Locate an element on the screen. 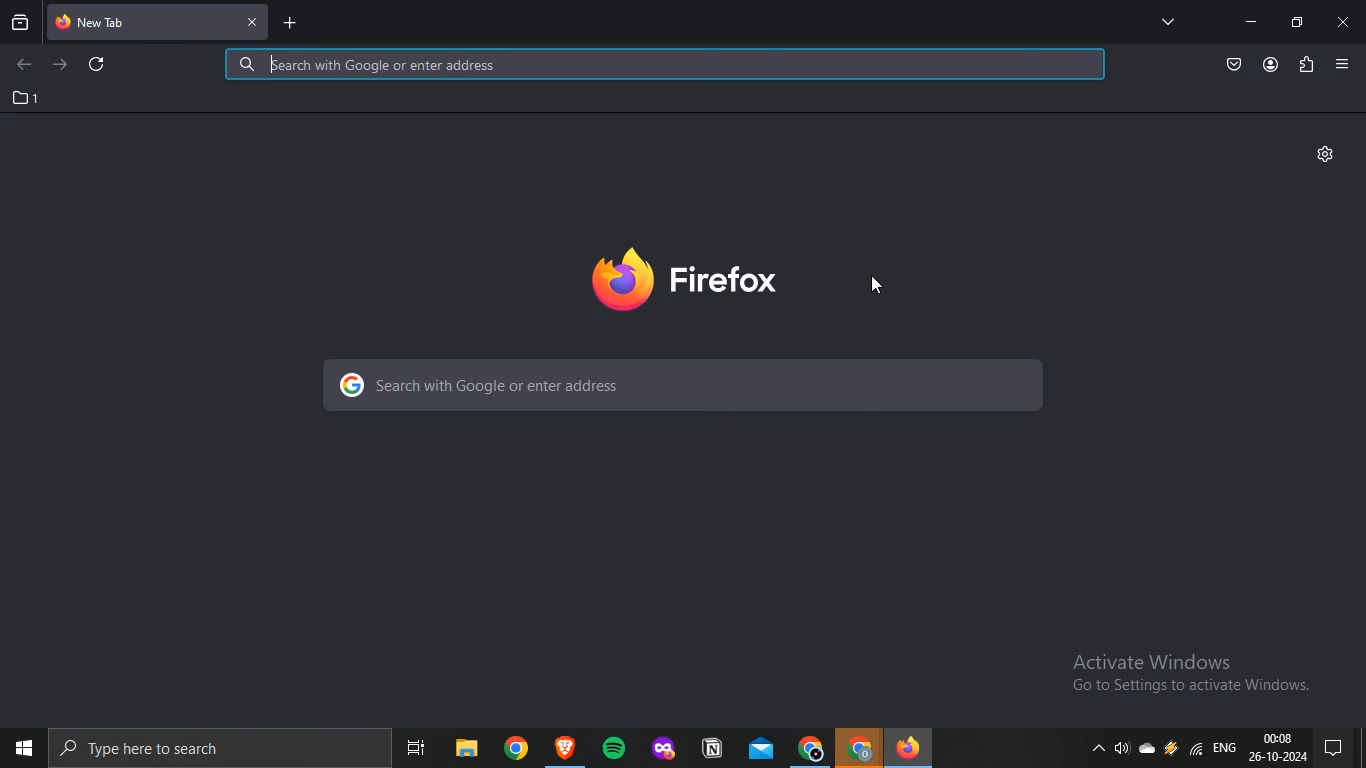  close is located at coordinates (1344, 24).